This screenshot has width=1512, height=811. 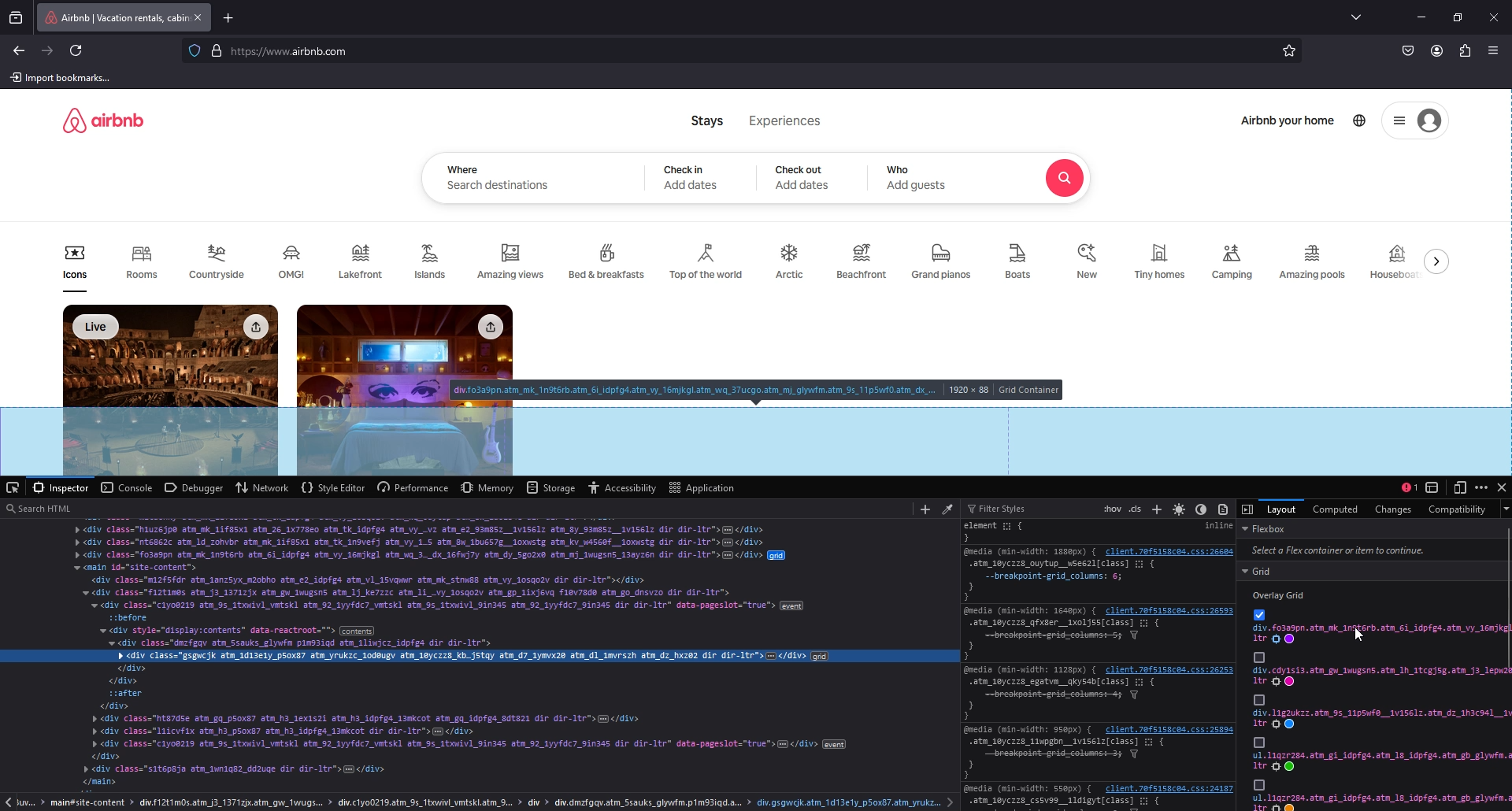 What do you see at coordinates (231, 17) in the screenshot?
I see `add tab` at bounding box center [231, 17].